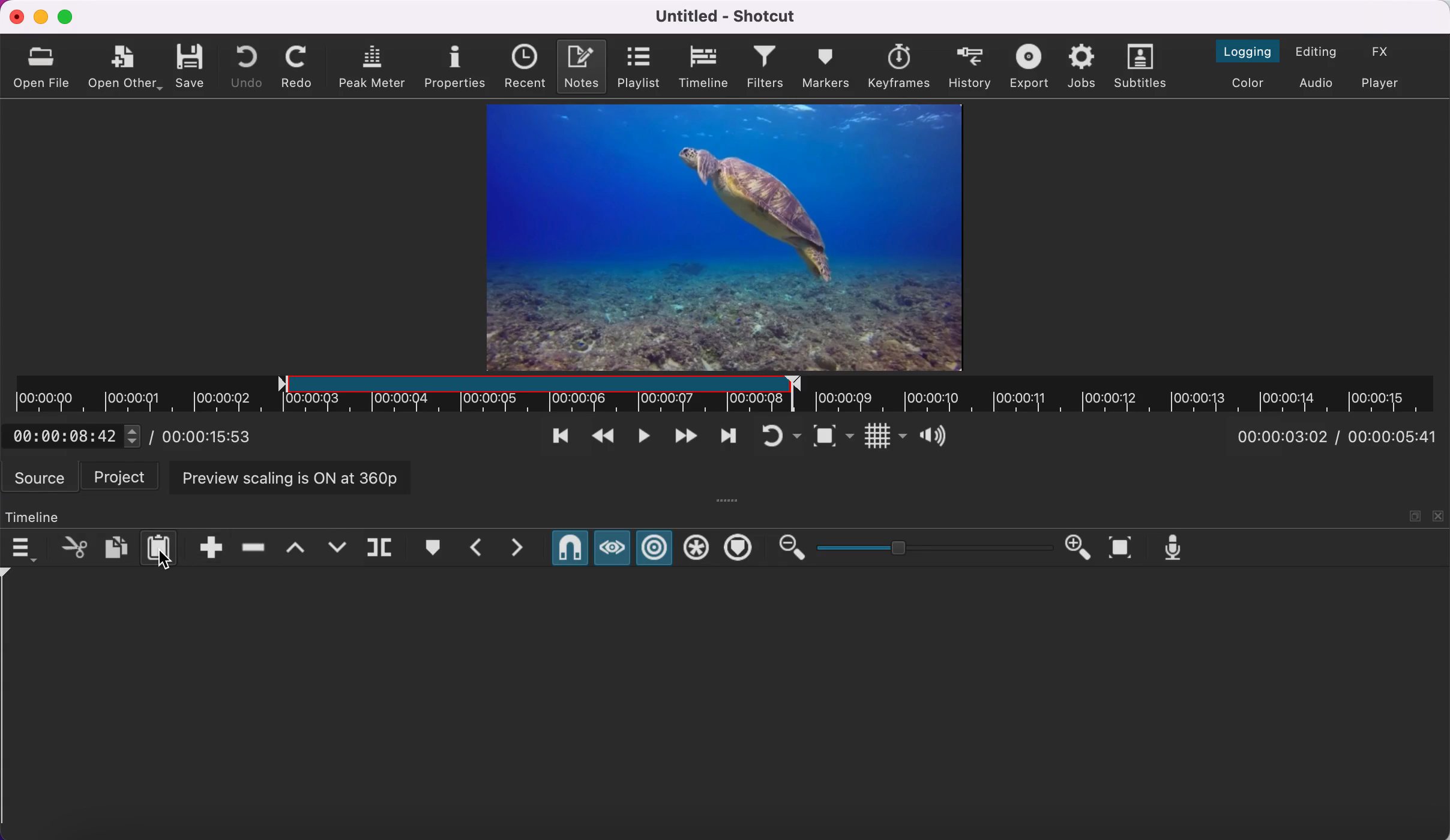 The image size is (1450, 840). I want to click on total duration, so click(221, 438).